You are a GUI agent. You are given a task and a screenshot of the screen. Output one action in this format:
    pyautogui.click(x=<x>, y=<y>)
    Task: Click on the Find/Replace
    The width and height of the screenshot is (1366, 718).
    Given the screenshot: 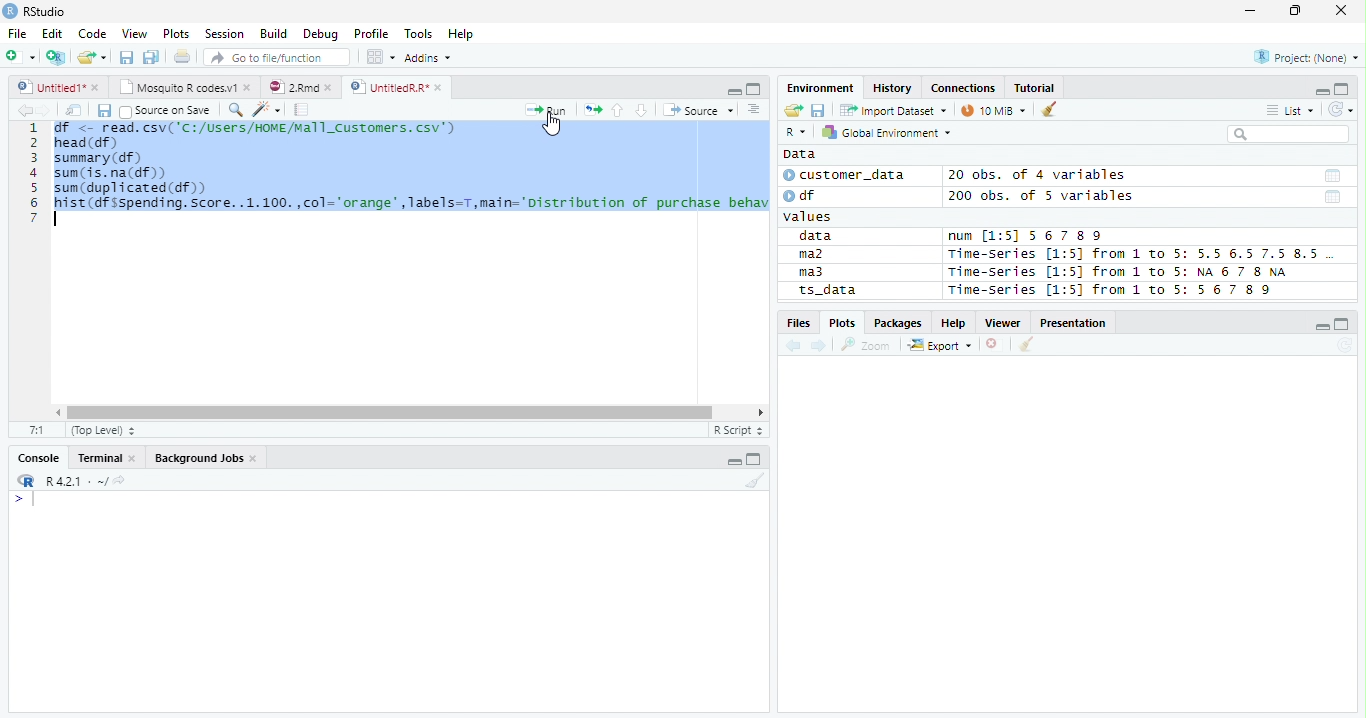 What is the action you would take?
    pyautogui.click(x=234, y=109)
    